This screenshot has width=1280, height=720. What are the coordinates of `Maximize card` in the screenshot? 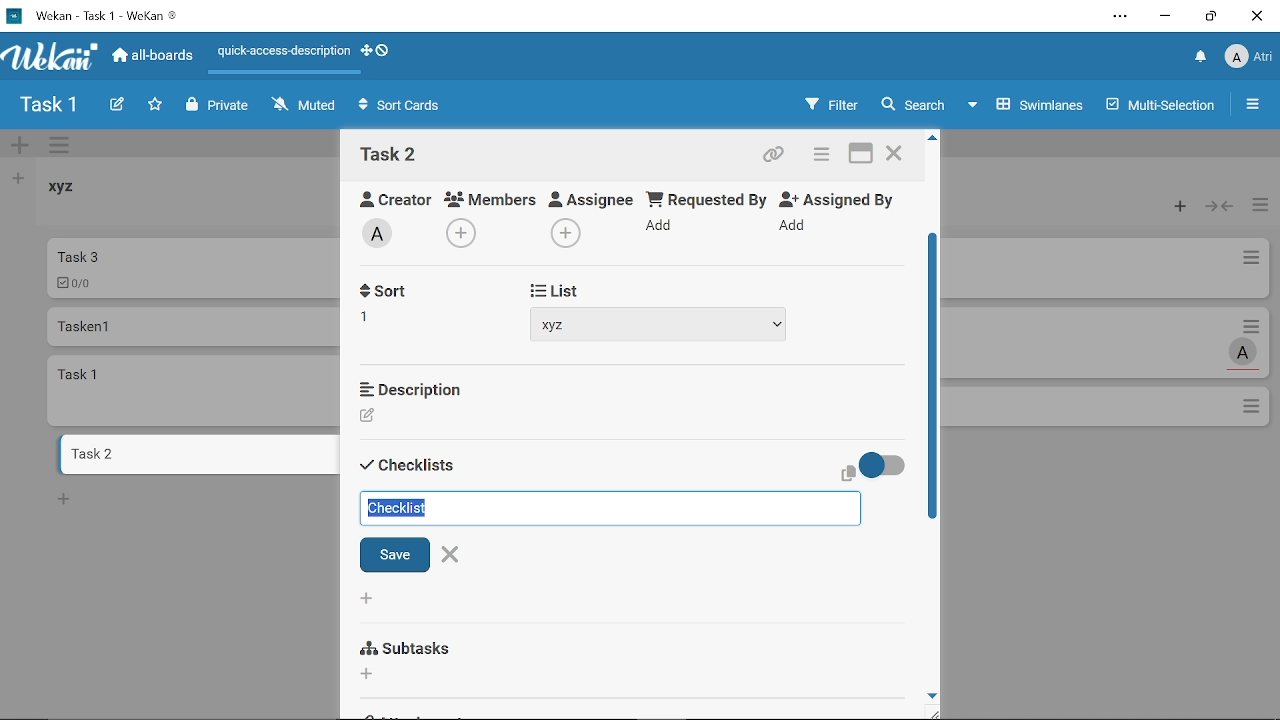 It's located at (861, 156).